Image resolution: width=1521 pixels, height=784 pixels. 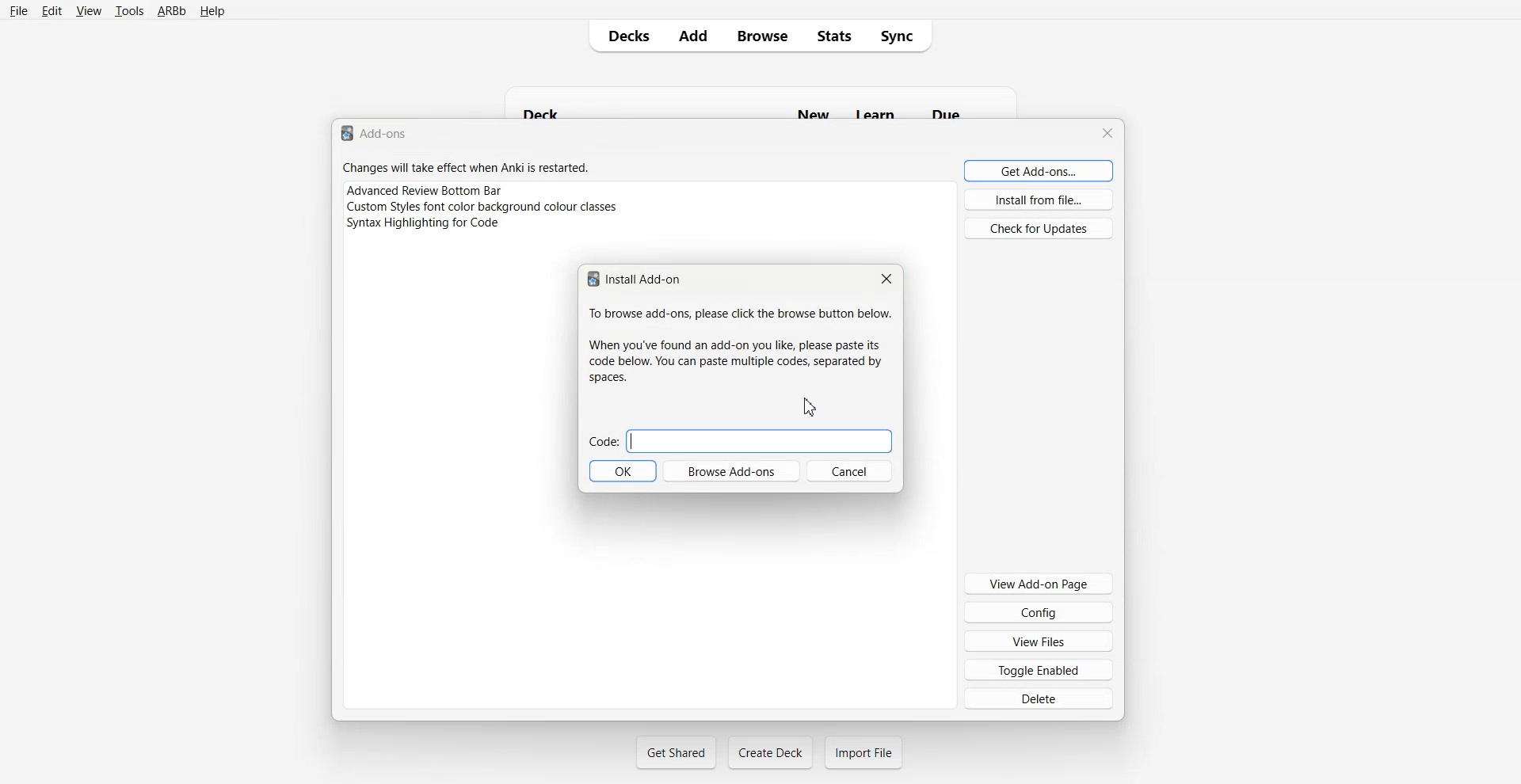 What do you see at coordinates (1039, 200) in the screenshot?
I see `Install from file` at bounding box center [1039, 200].